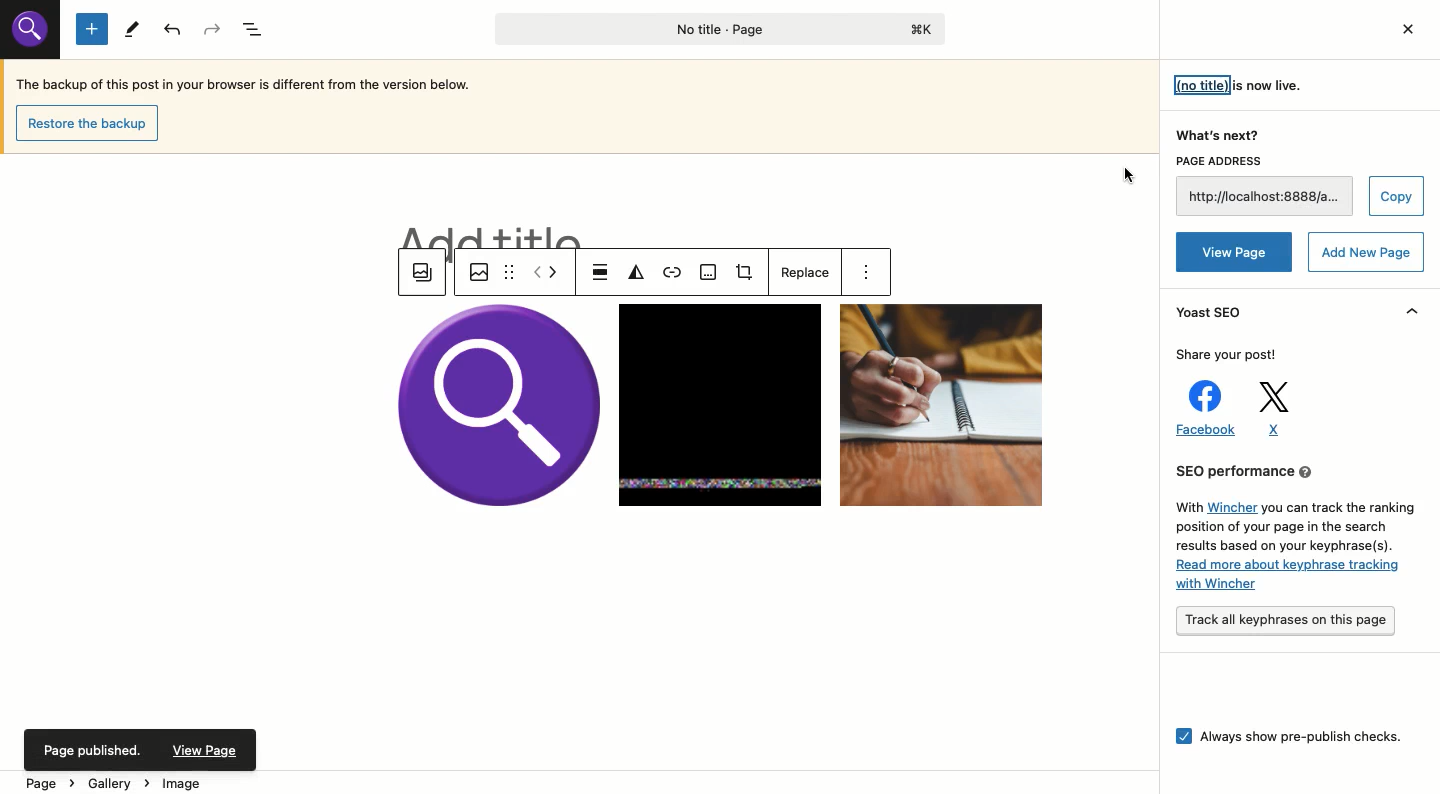 This screenshot has height=794, width=1440. I want to click on Restore the backup, so click(89, 123).